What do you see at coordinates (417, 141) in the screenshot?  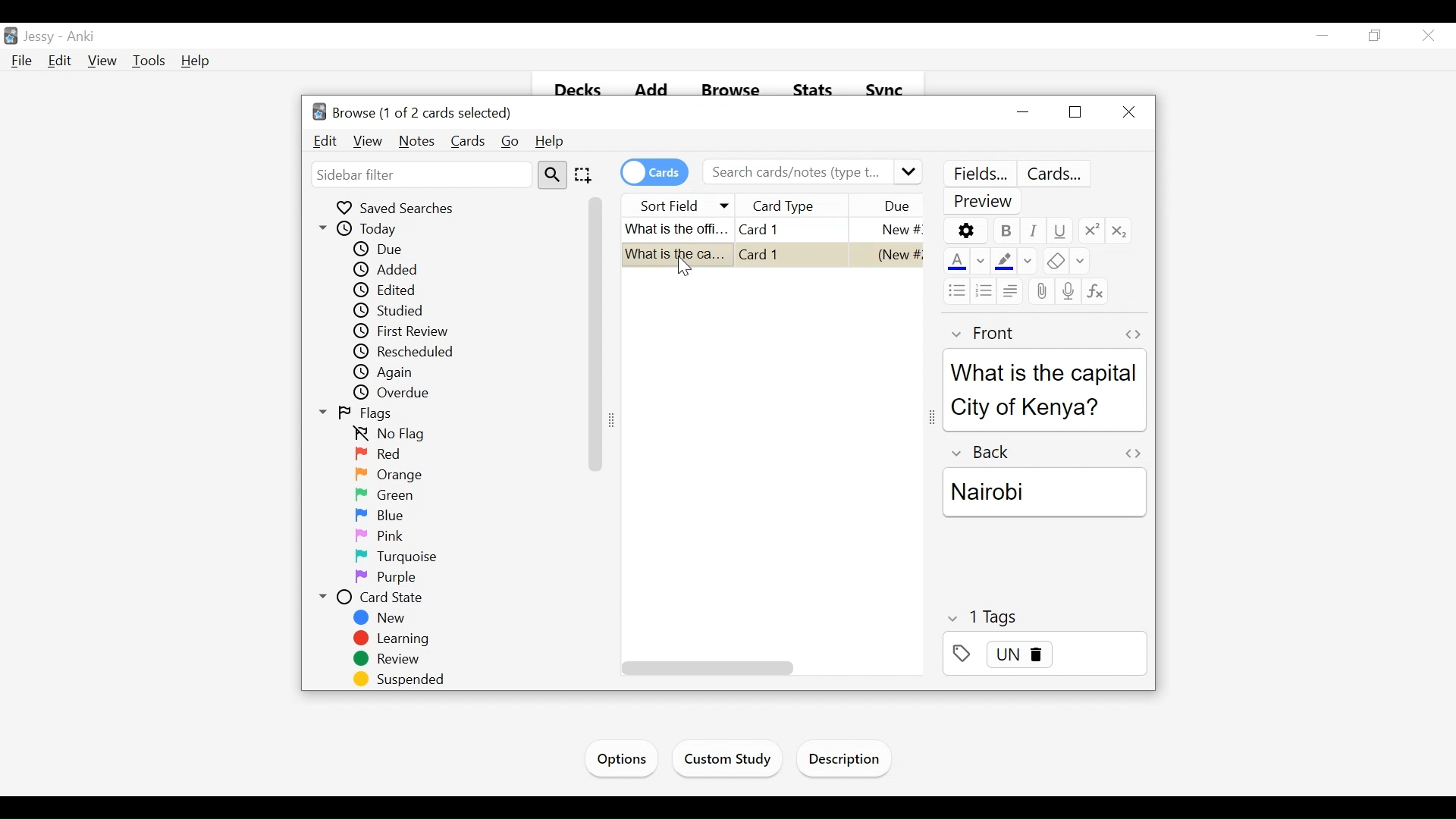 I see `Notes` at bounding box center [417, 141].